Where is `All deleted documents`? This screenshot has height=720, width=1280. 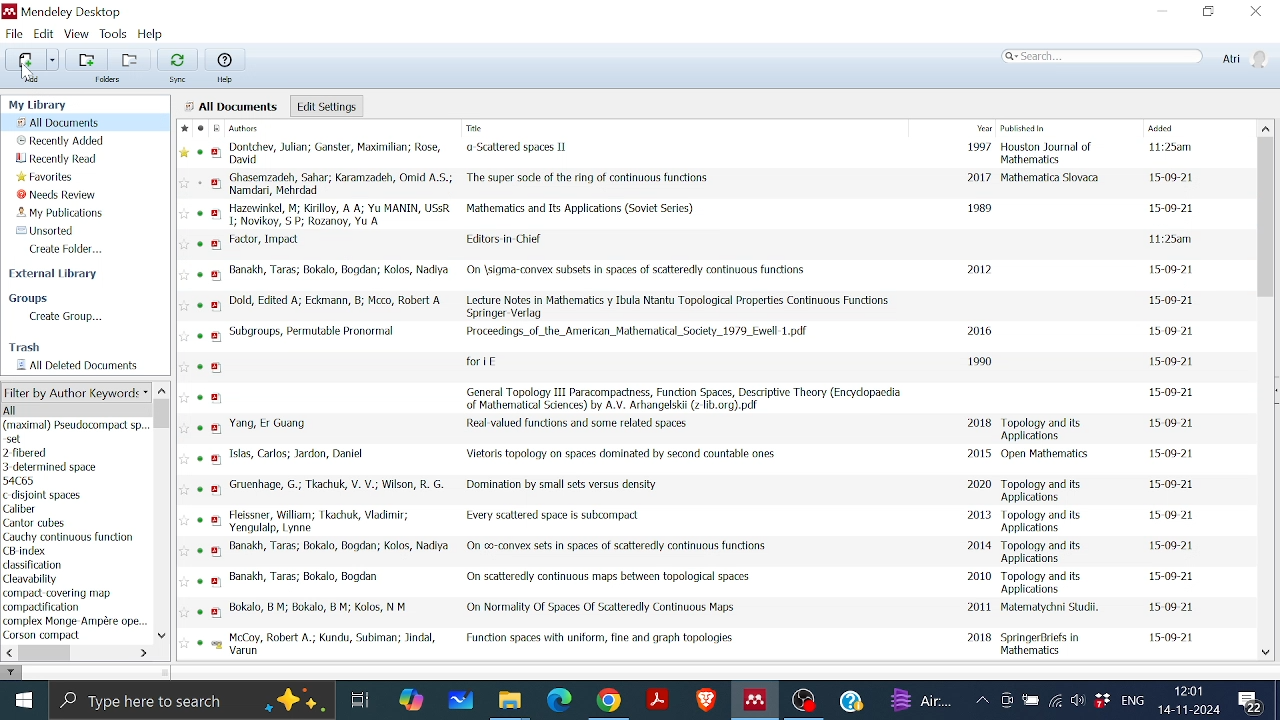
All deleted documents is located at coordinates (81, 365).